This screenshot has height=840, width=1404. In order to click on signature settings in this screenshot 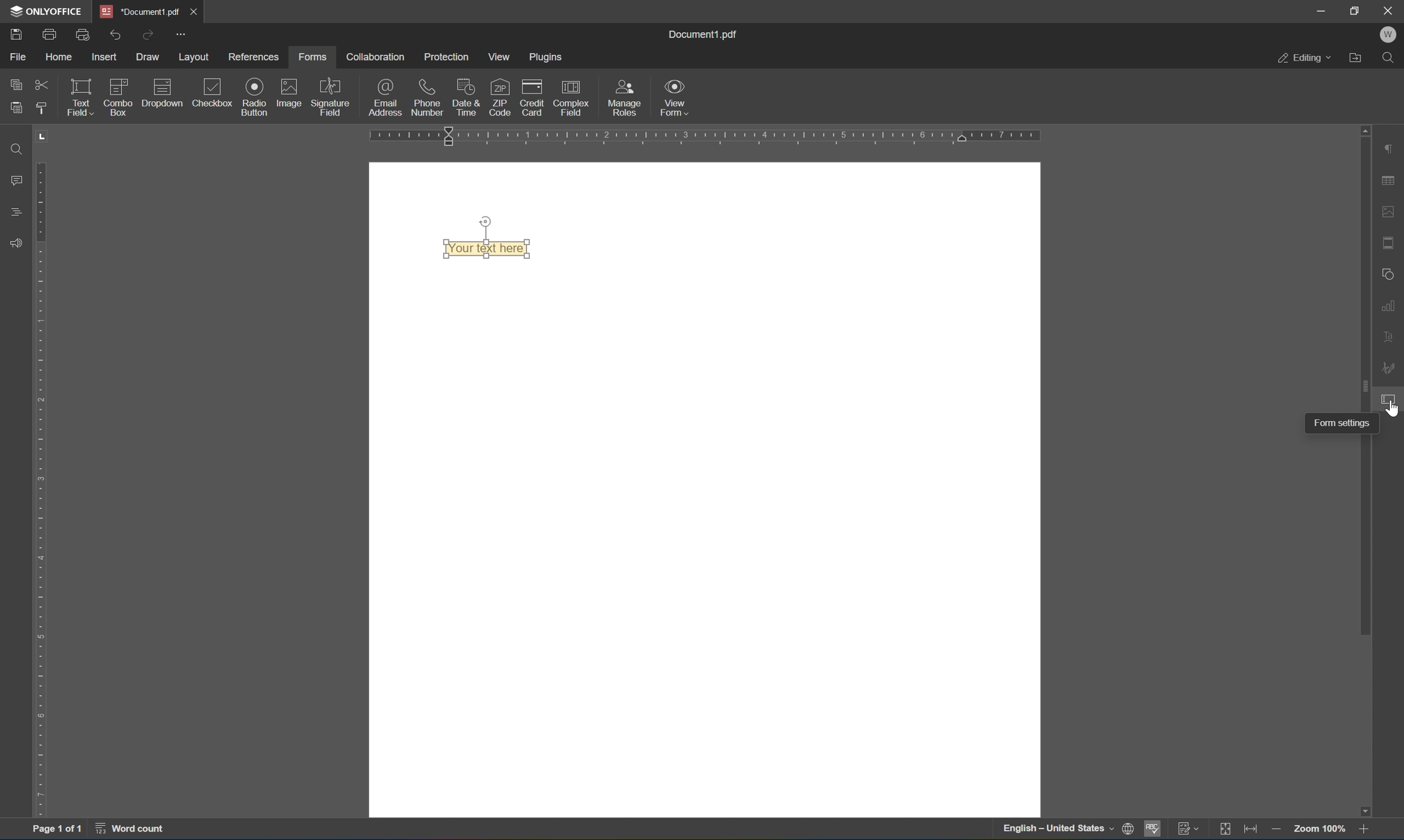, I will do `click(1390, 368)`.